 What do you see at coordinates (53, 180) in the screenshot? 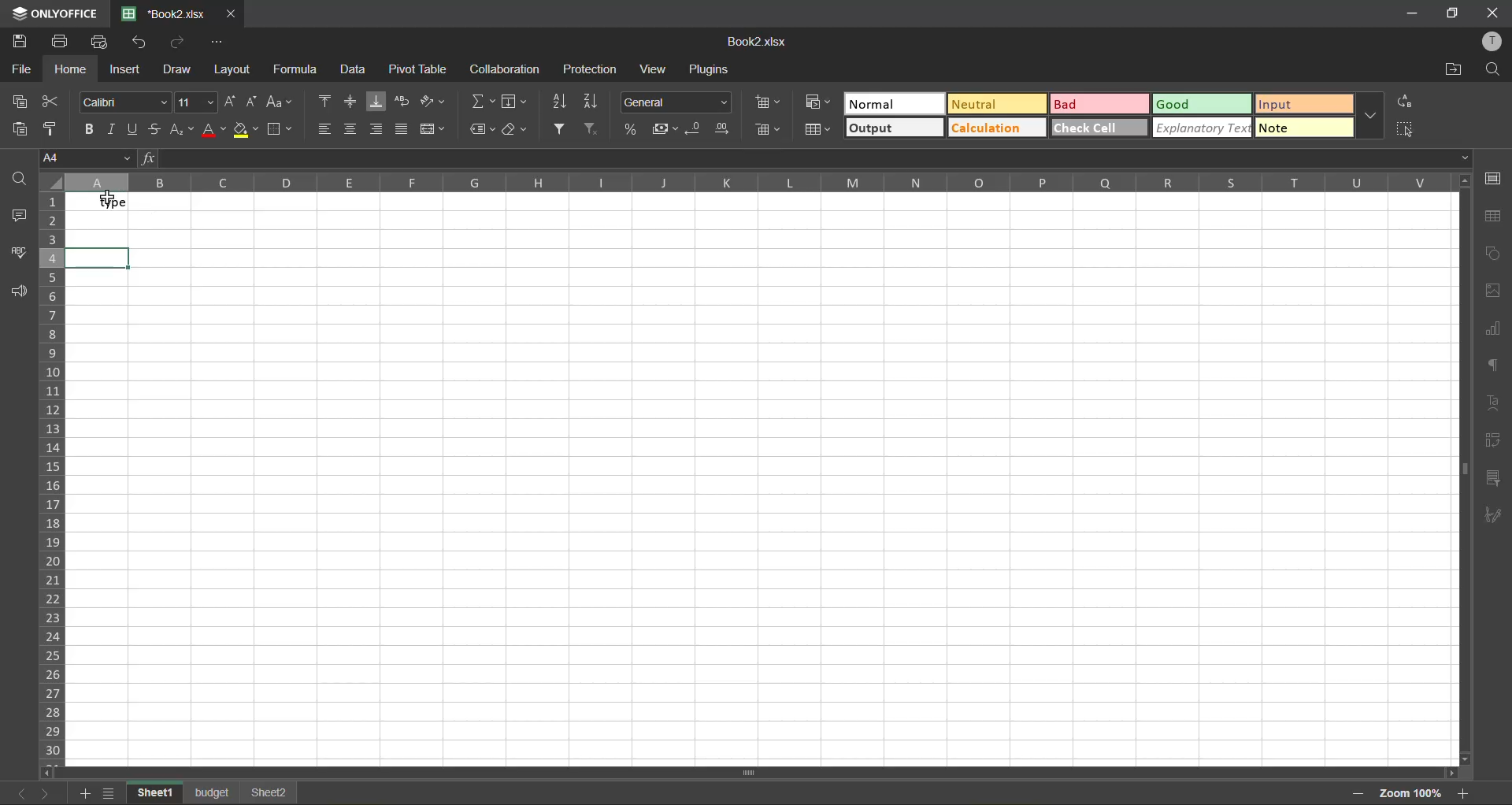
I see `guideline` at bounding box center [53, 180].